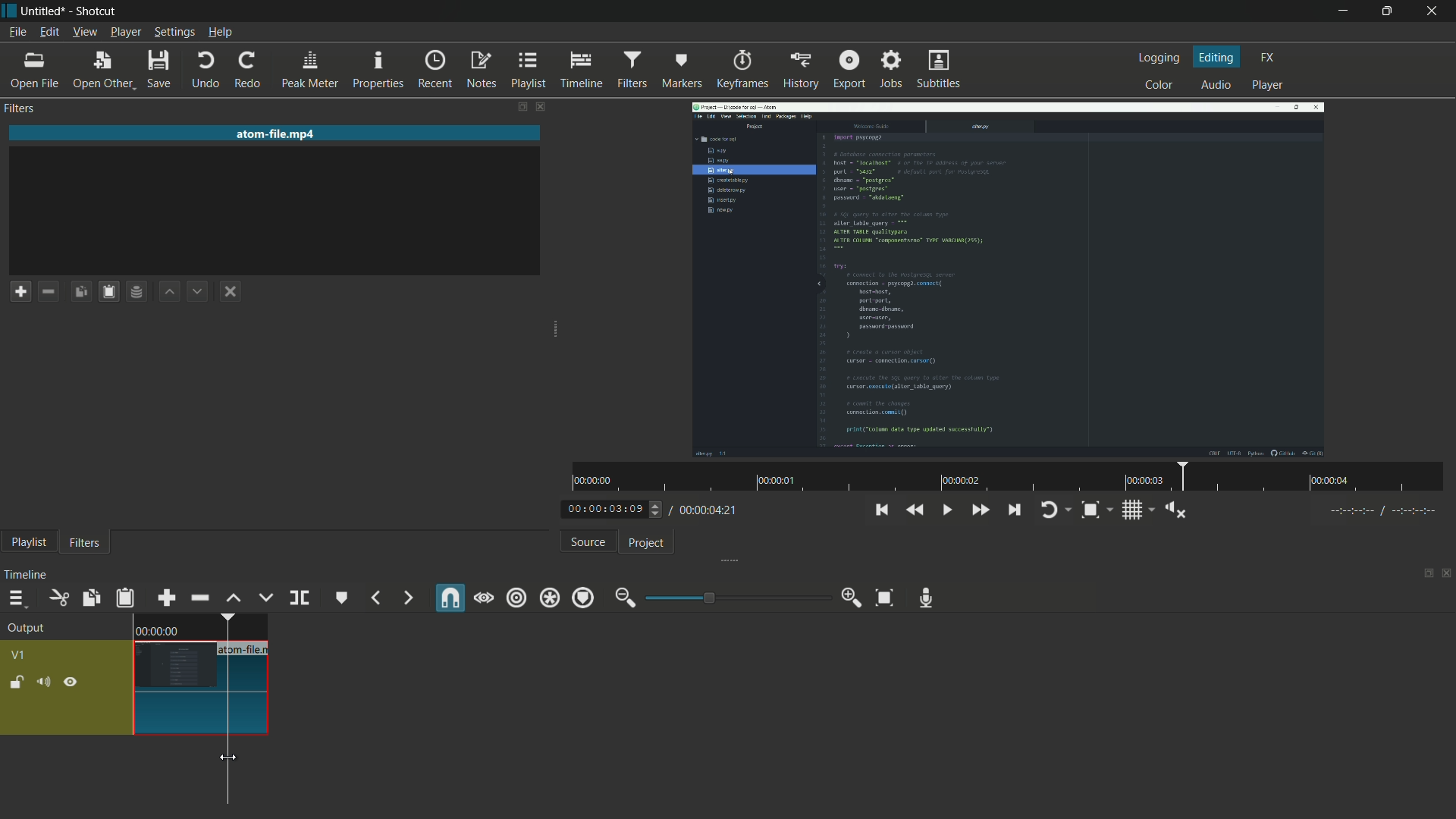 This screenshot has width=1456, height=819. Describe the element at coordinates (1427, 573) in the screenshot. I see `change layout` at that location.